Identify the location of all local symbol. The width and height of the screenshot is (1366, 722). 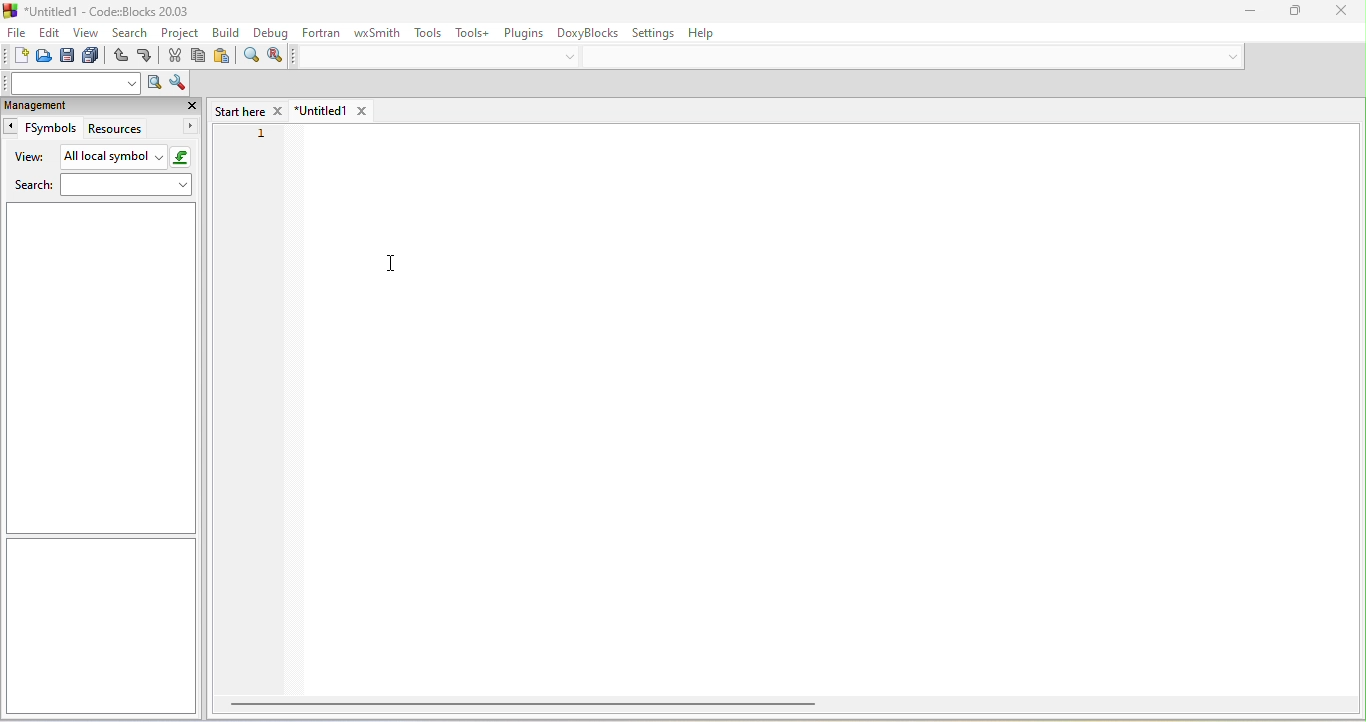
(127, 157).